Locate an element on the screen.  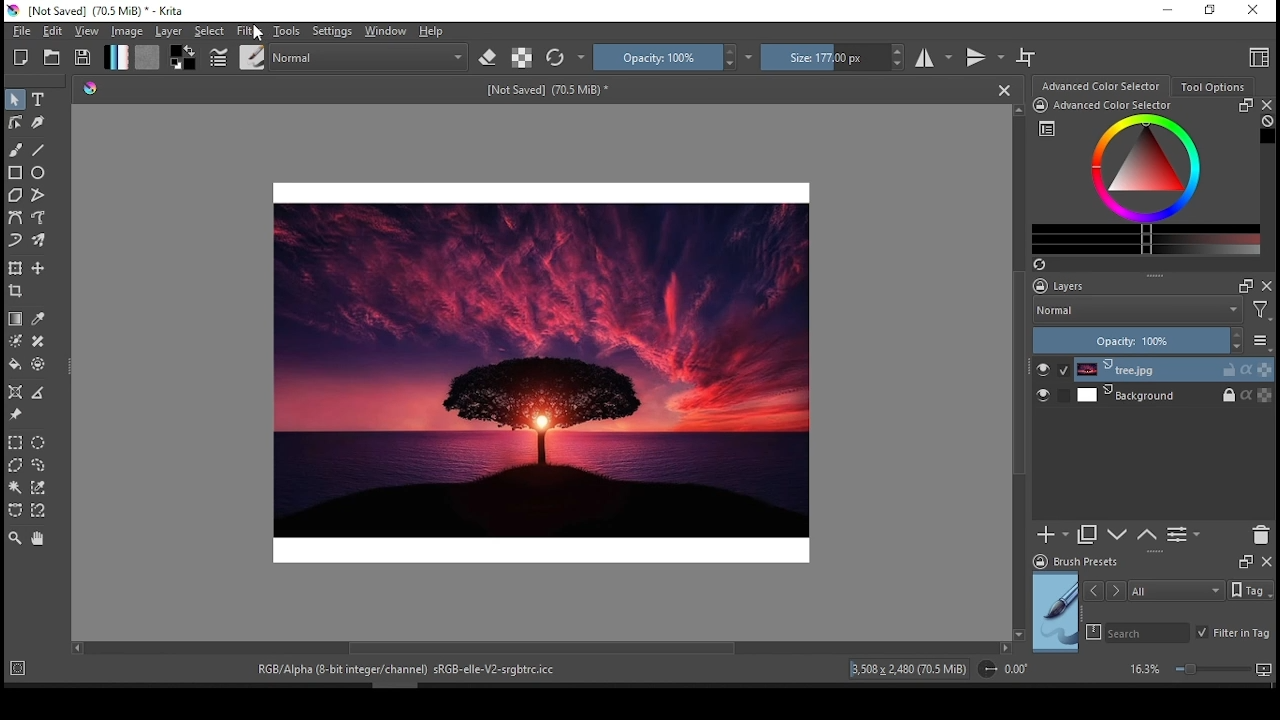
text is located at coordinates (409, 674).